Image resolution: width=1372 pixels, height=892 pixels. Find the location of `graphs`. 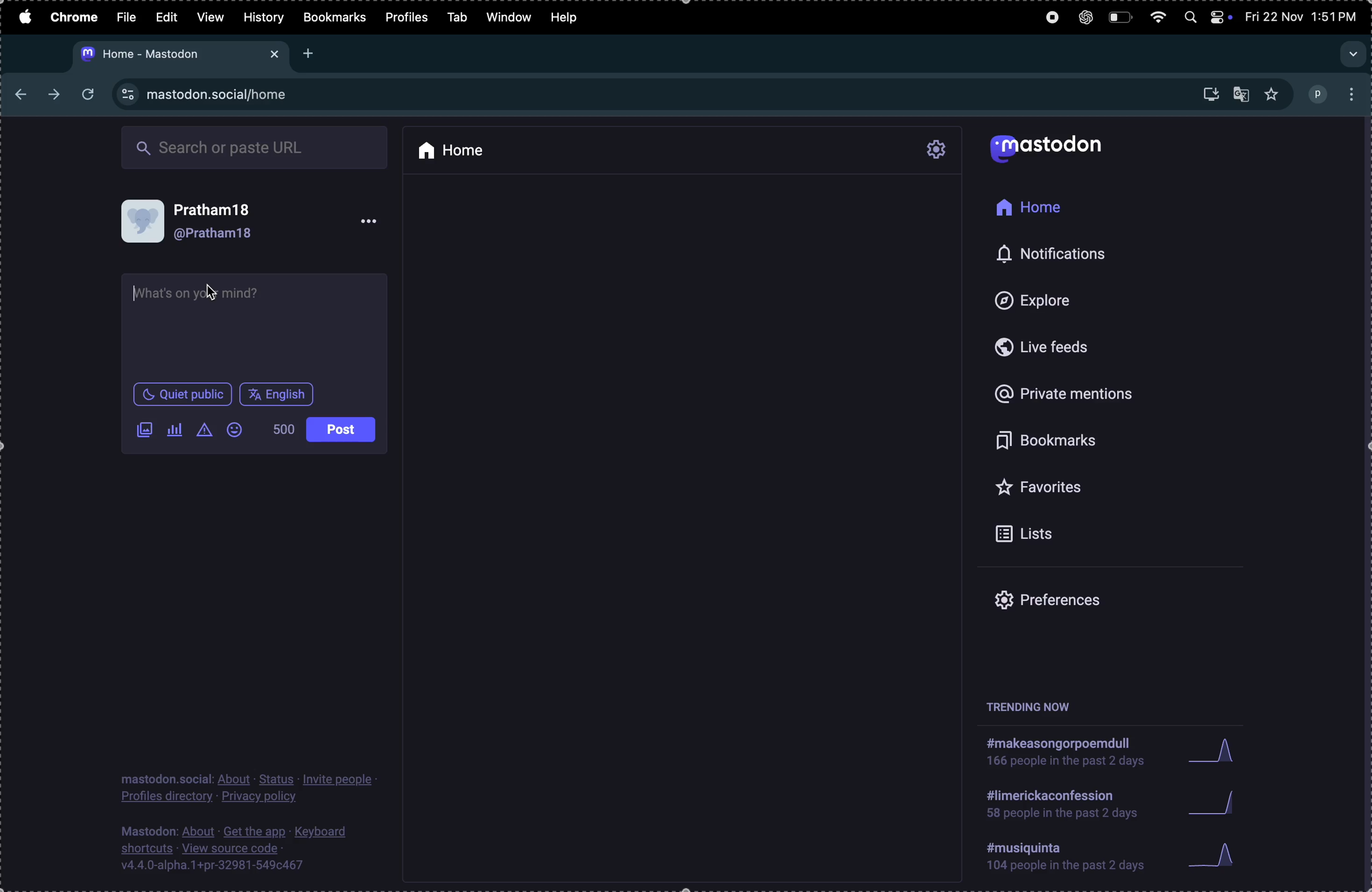

graphs is located at coordinates (1211, 856).